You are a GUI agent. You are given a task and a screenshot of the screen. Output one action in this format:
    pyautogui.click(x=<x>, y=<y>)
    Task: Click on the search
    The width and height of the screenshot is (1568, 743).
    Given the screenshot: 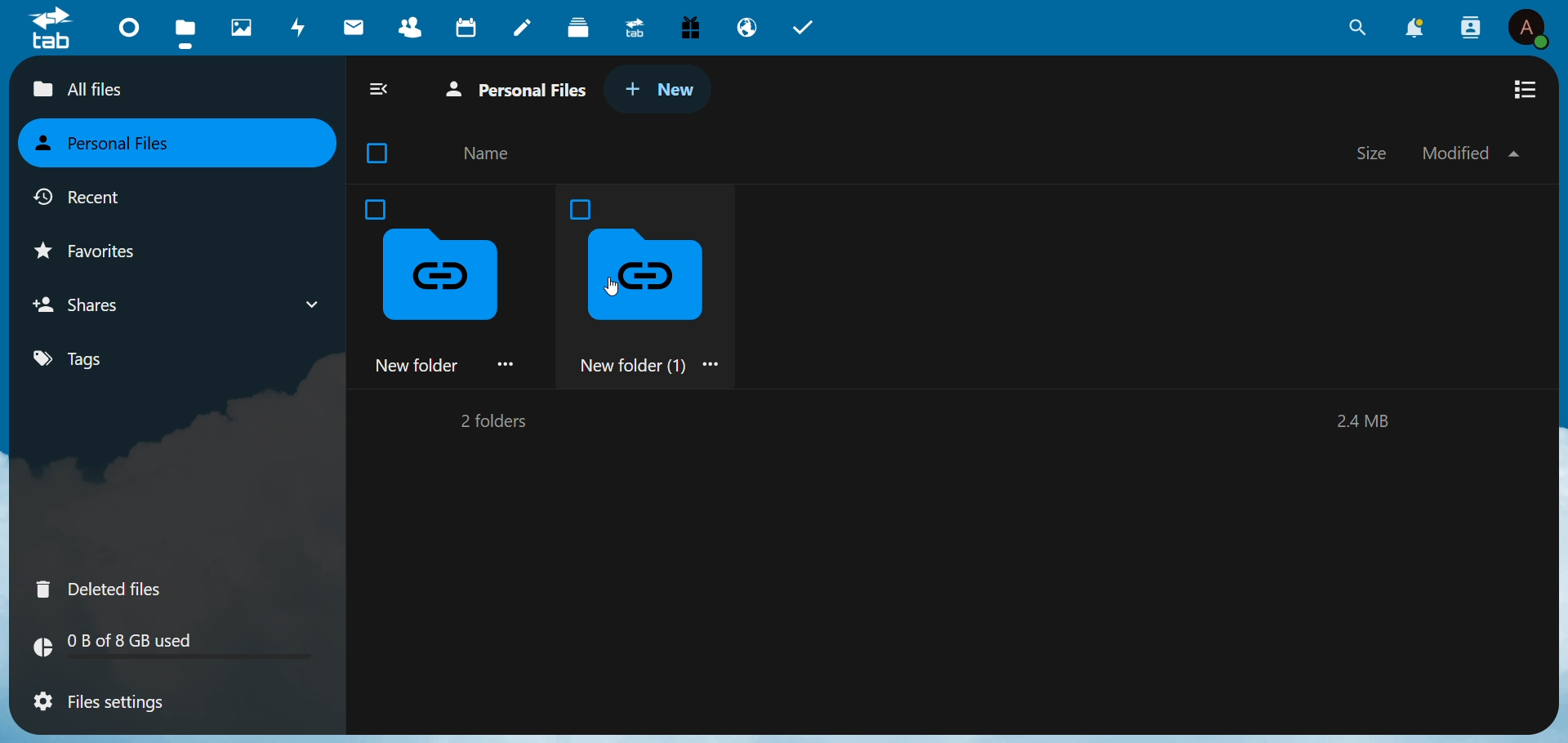 What is the action you would take?
    pyautogui.click(x=1353, y=29)
    